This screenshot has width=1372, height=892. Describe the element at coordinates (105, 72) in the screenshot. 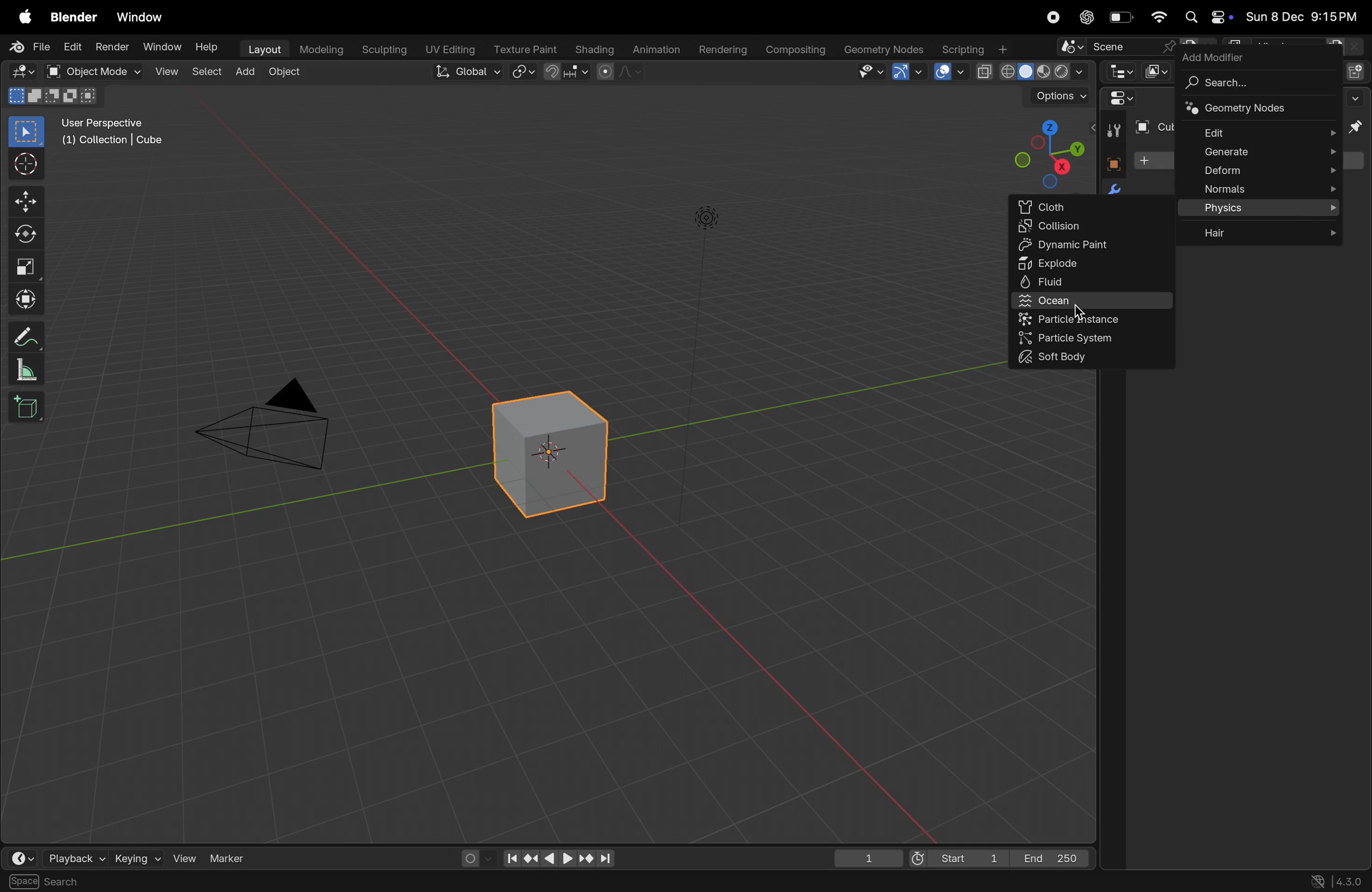

I see `object mode` at that location.